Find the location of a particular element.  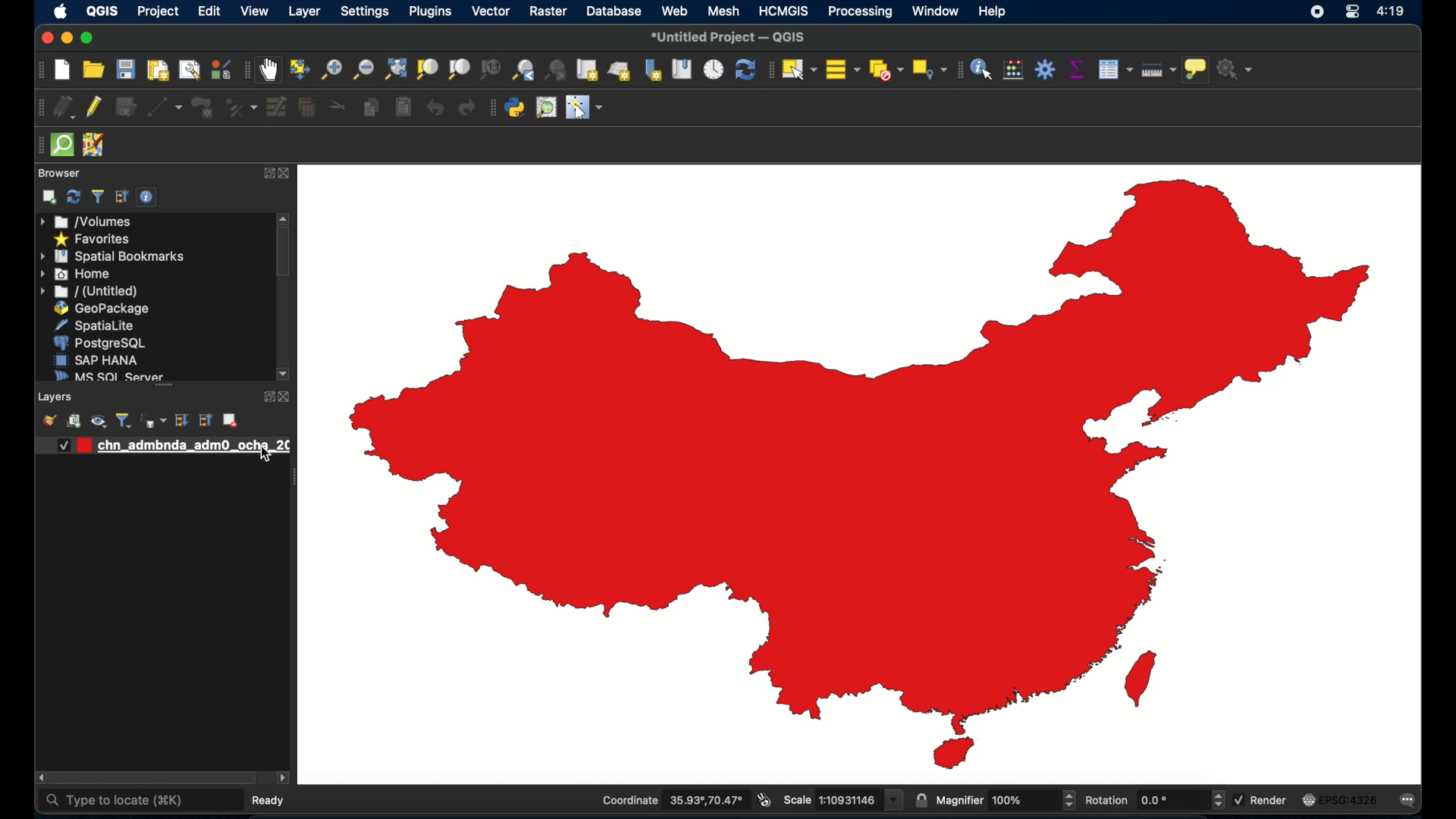

select all features is located at coordinates (842, 68).